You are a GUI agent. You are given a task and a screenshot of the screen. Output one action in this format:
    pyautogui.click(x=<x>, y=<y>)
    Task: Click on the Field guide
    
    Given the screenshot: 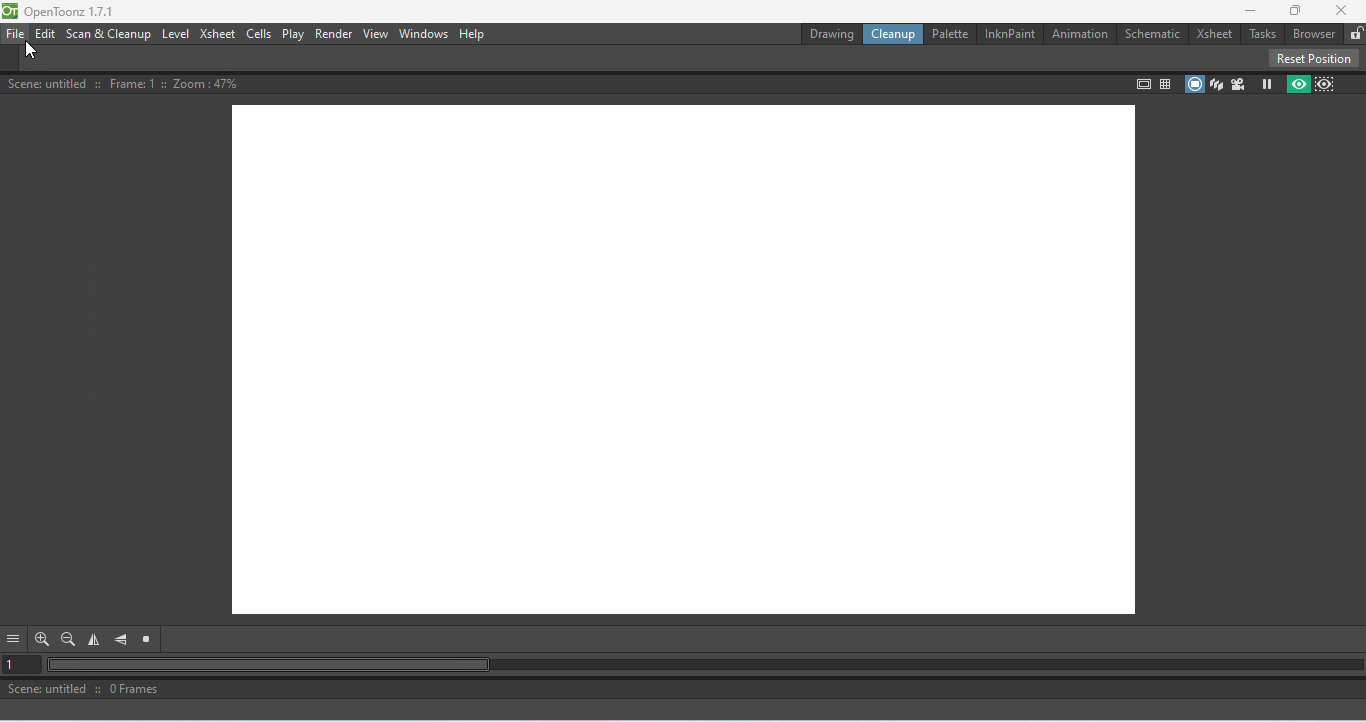 What is the action you would take?
    pyautogui.click(x=1166, y=83)
    